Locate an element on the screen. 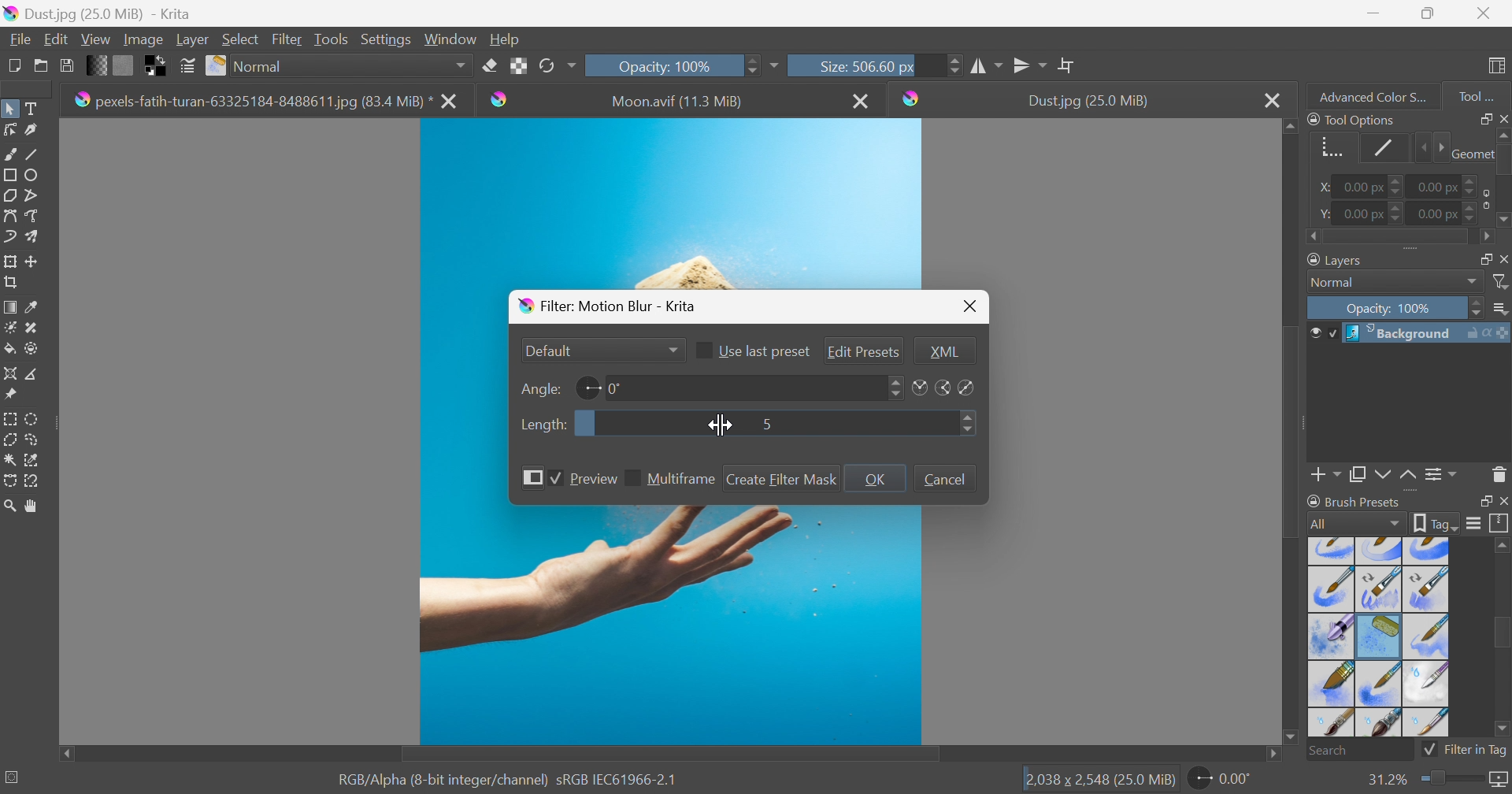 Image resolution: width=1512 pixels, height=794 pixels. Polyline tool is located at coordinates (38, 194).